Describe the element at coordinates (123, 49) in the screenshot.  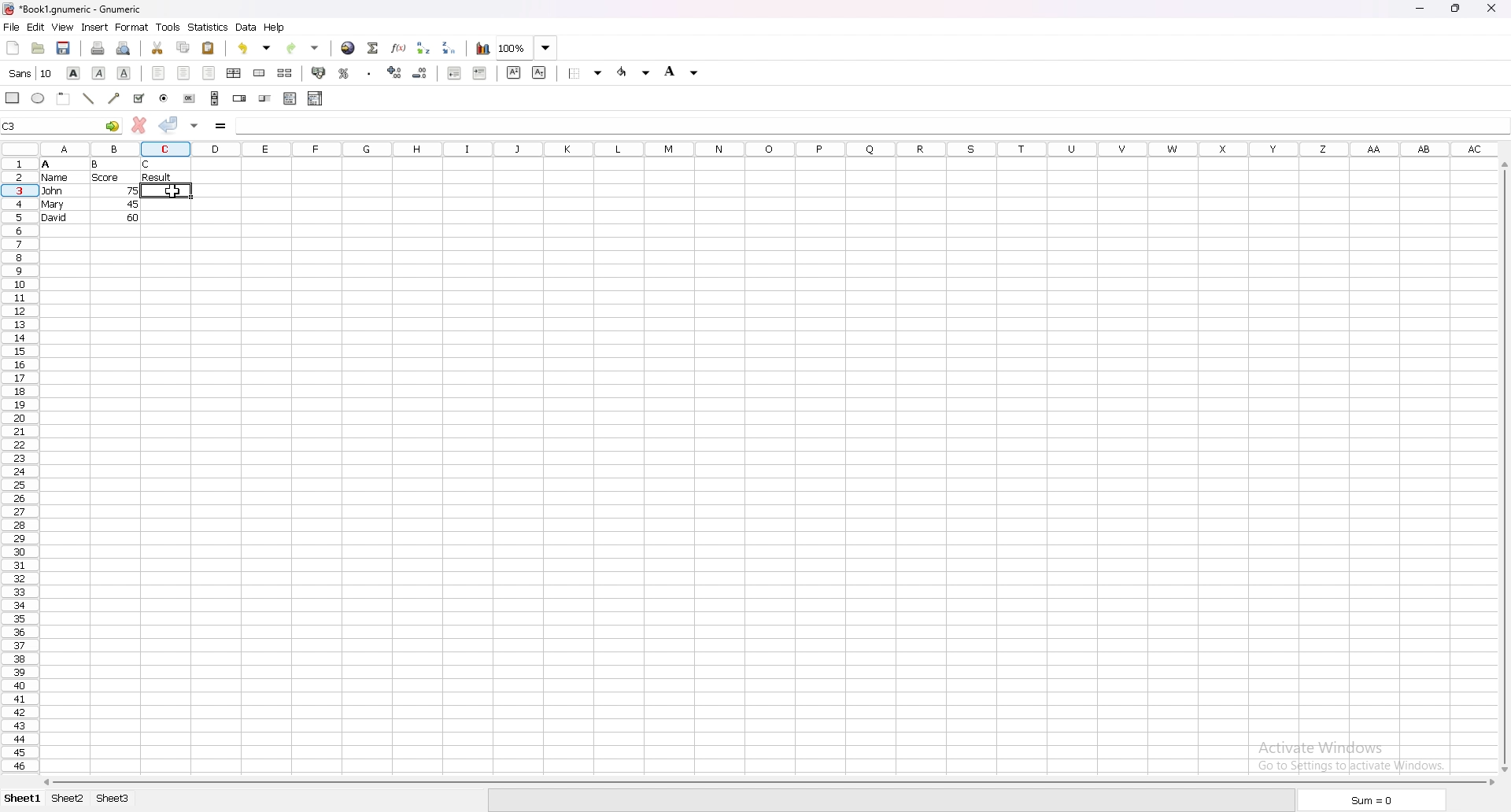
I see `print preview` at that location.